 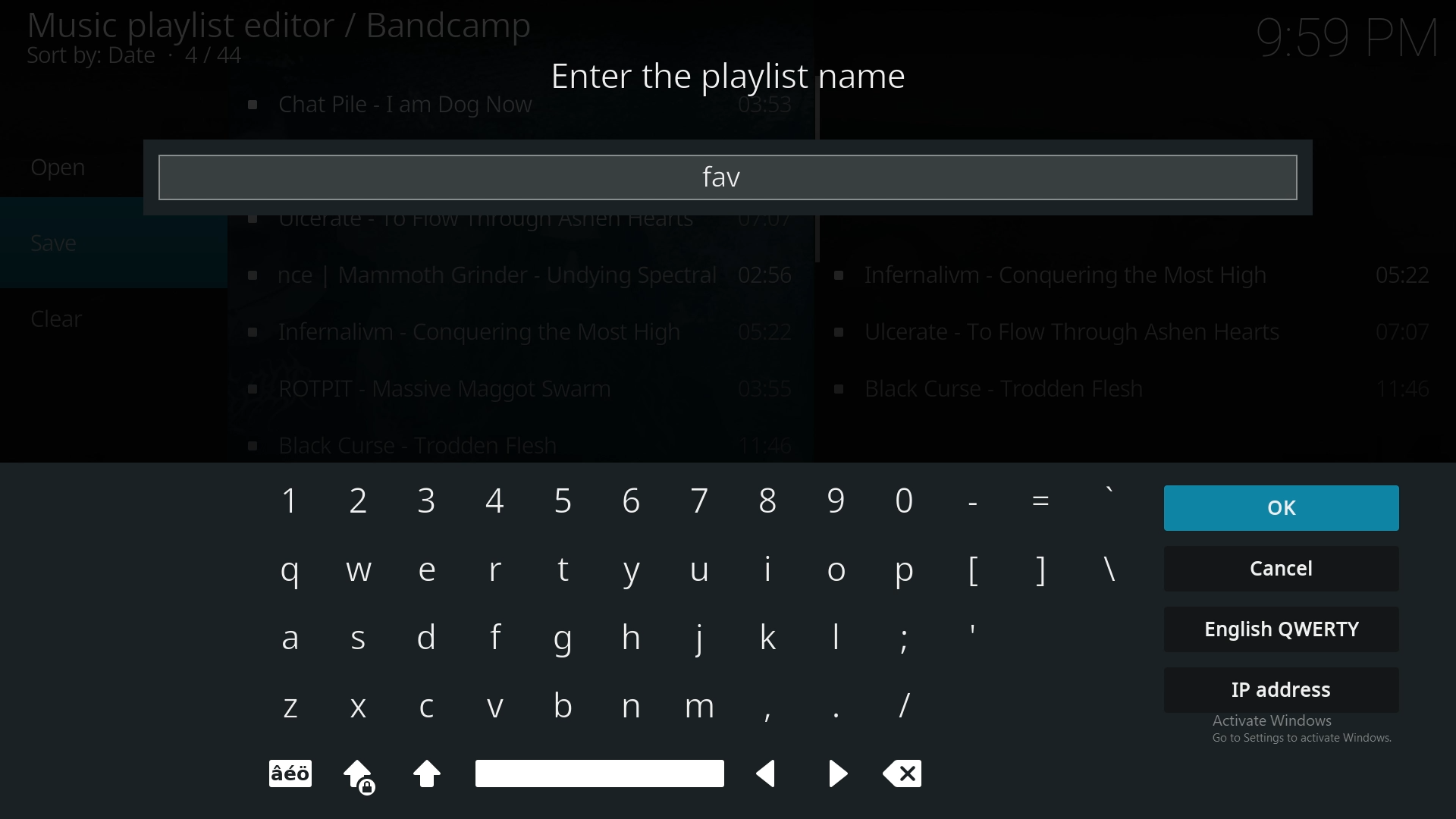 I want to click on keyboard input, so click(x=293, y=638).